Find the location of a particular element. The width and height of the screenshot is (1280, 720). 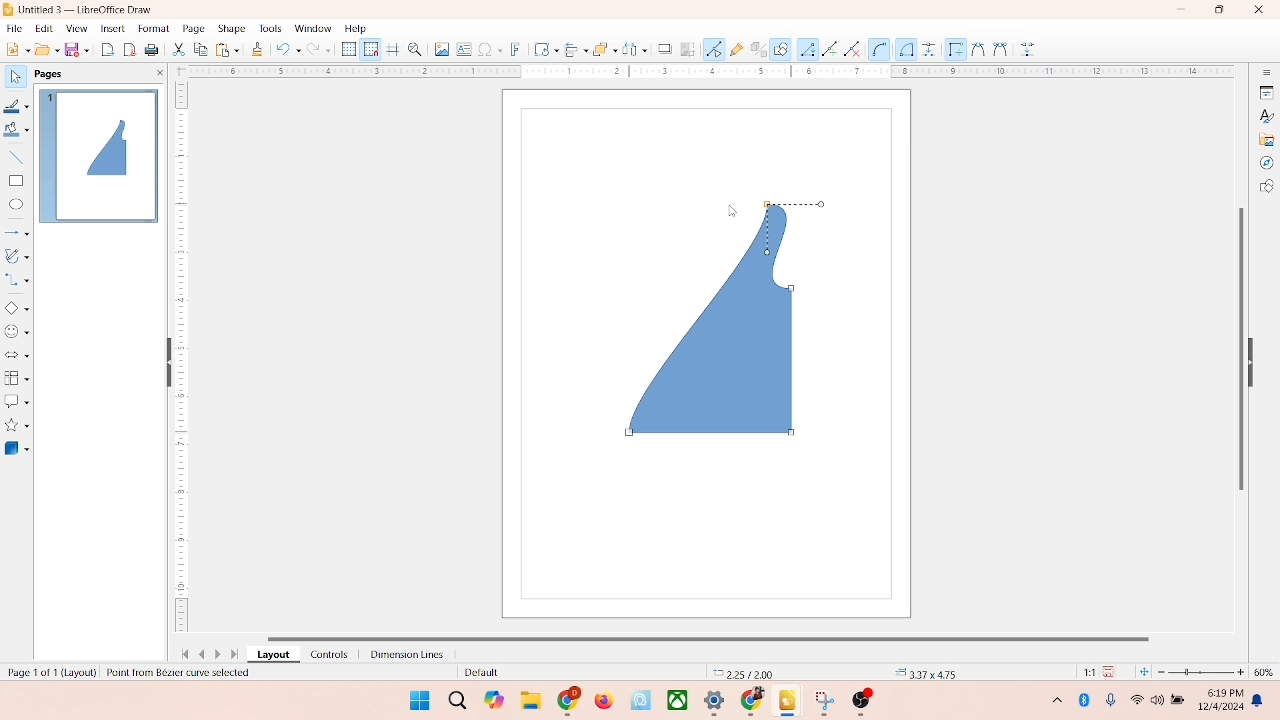

special character is located at coordinates (490, 49).